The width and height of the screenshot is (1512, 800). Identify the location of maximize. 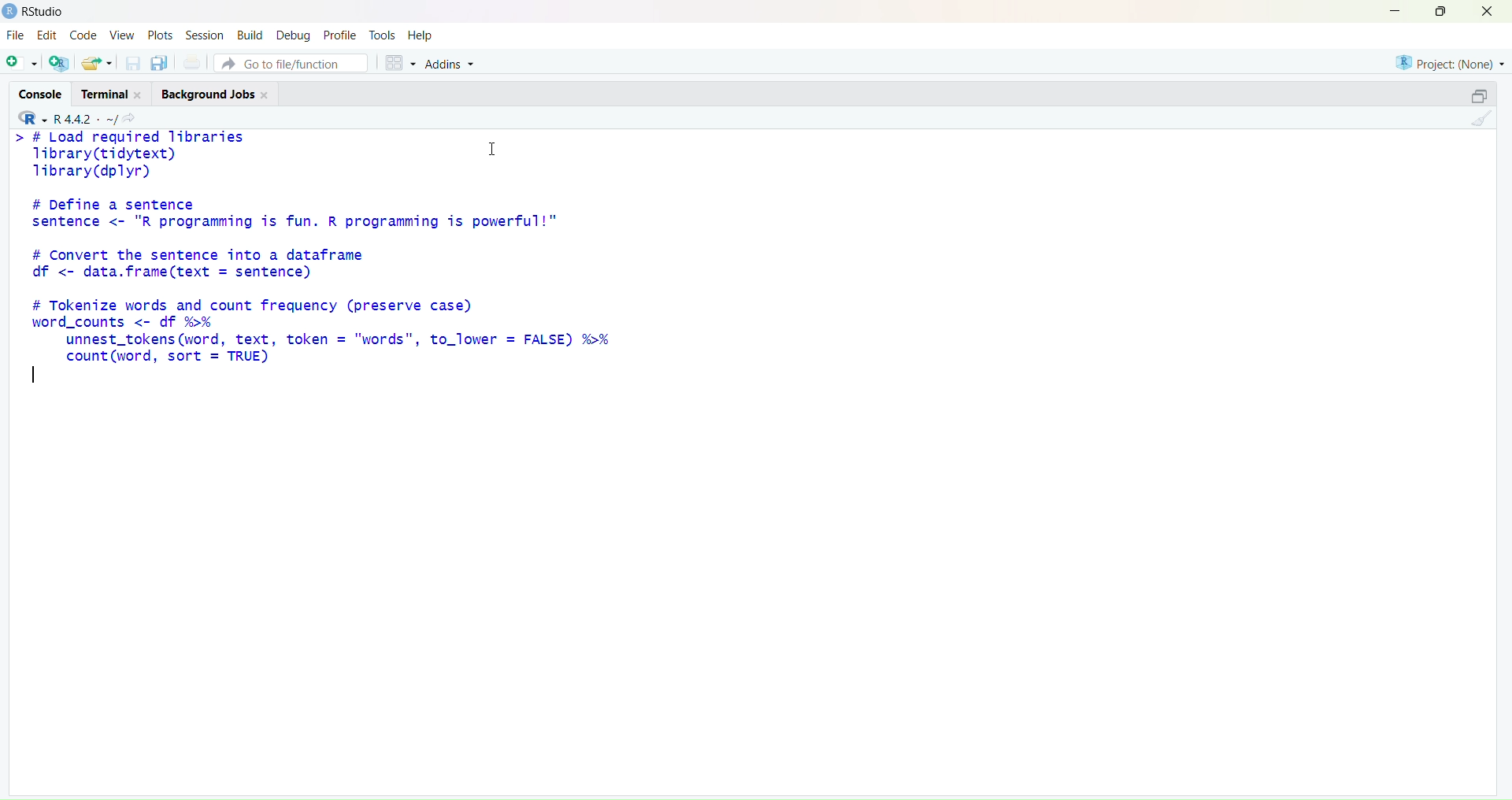
(1440, 13).